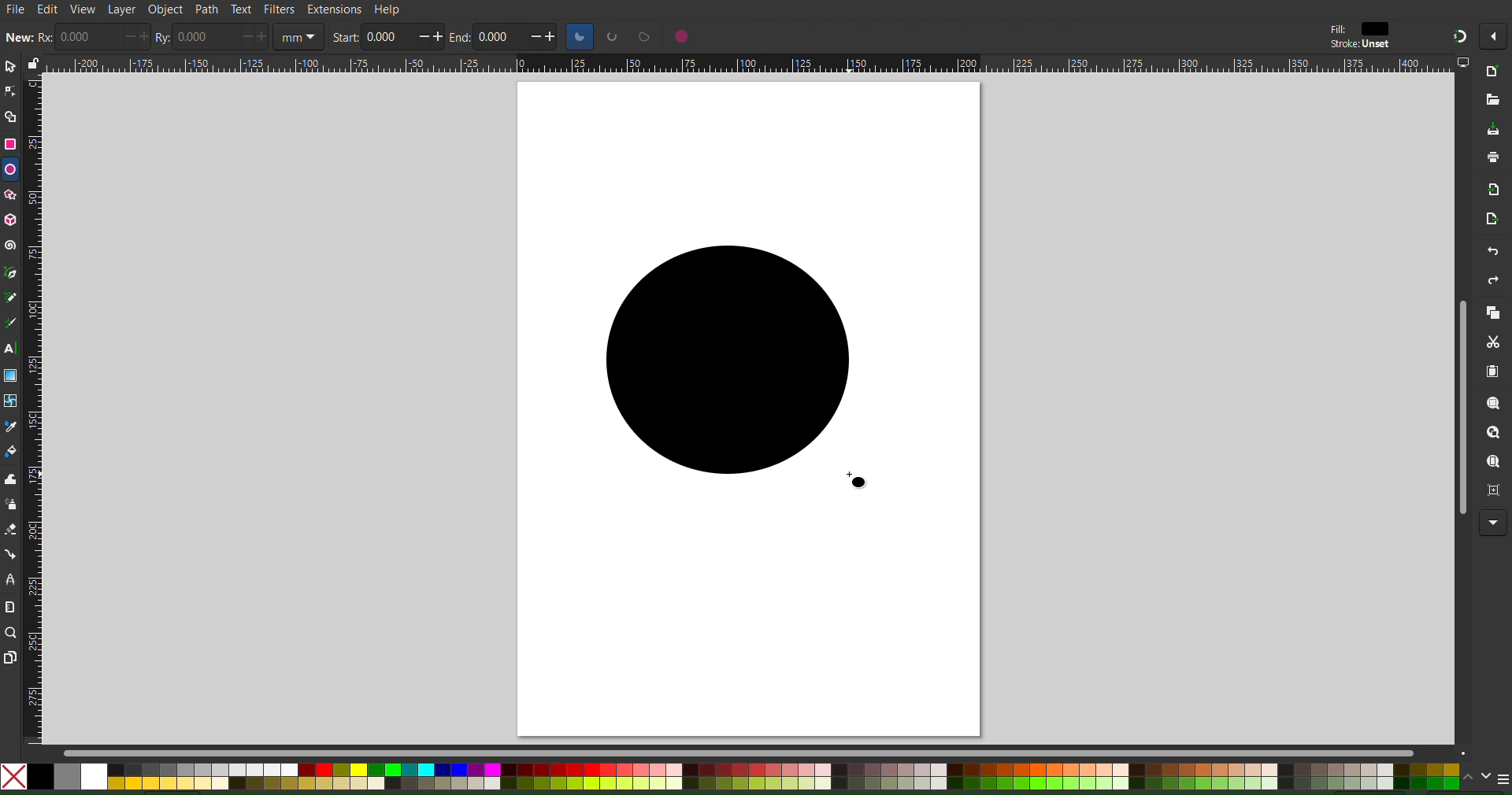  What do you see at coordinates (499, 37) in the screenshot?
I see `0` at bounding box center [499, 37].